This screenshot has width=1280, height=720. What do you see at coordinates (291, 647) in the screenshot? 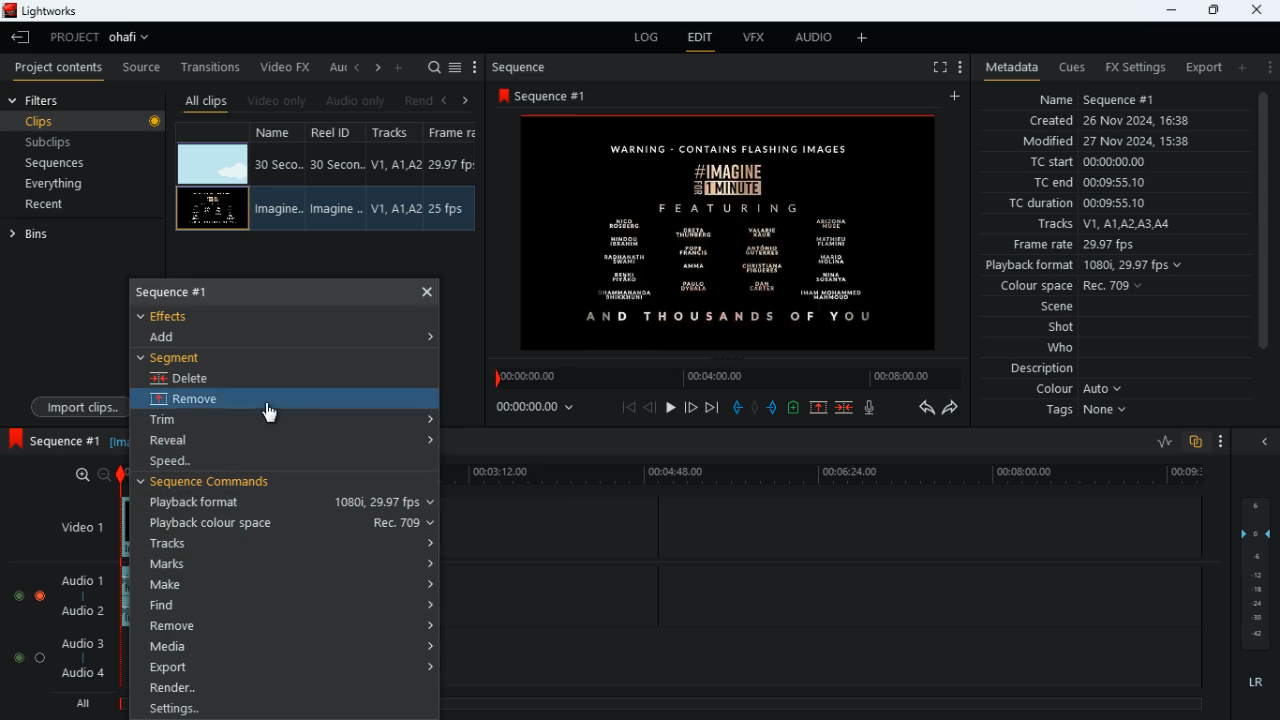
I see `media` at bounding box center [291, 647].